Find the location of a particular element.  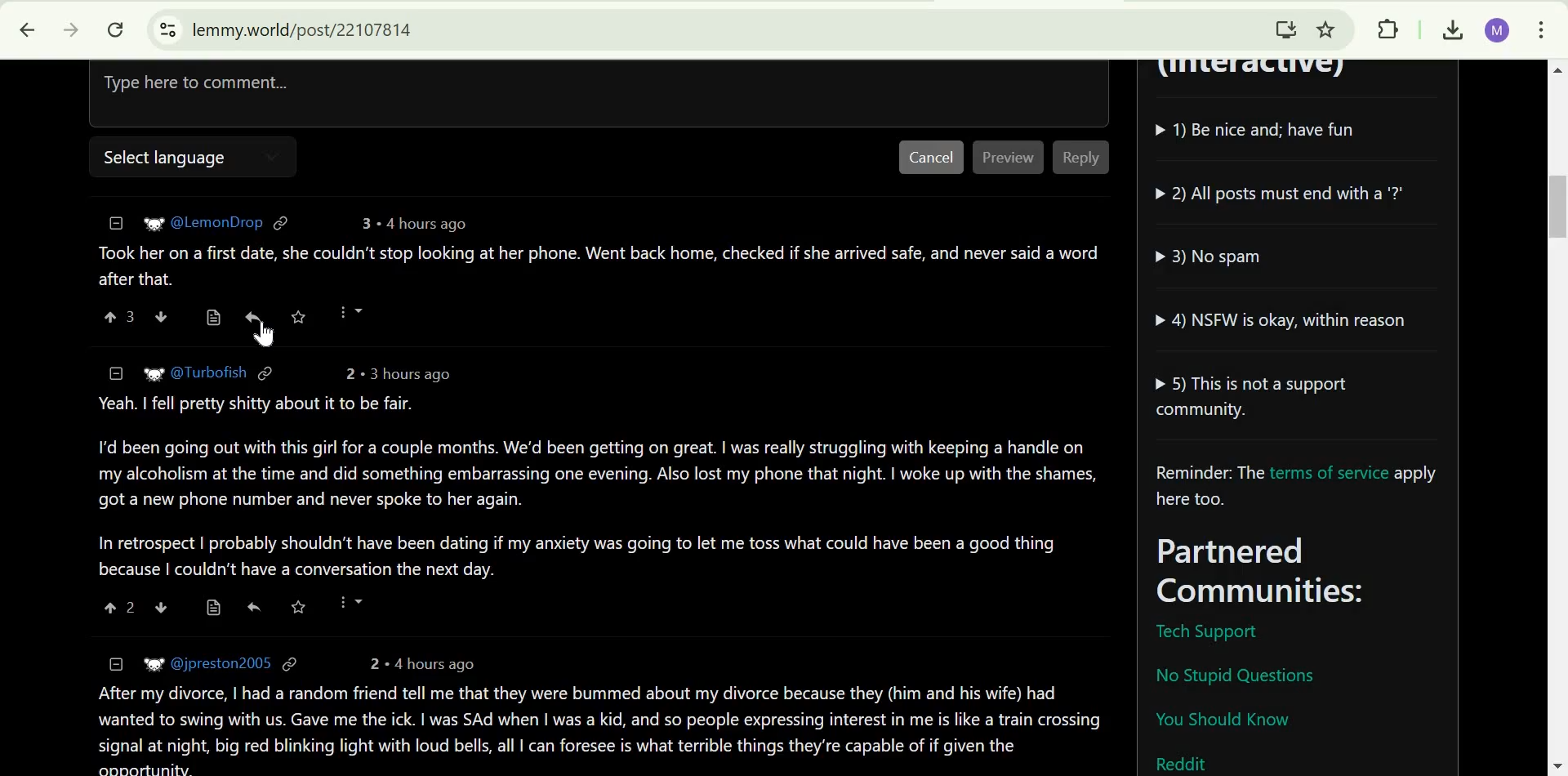

Reddit is located at coordinates (1206, 763).